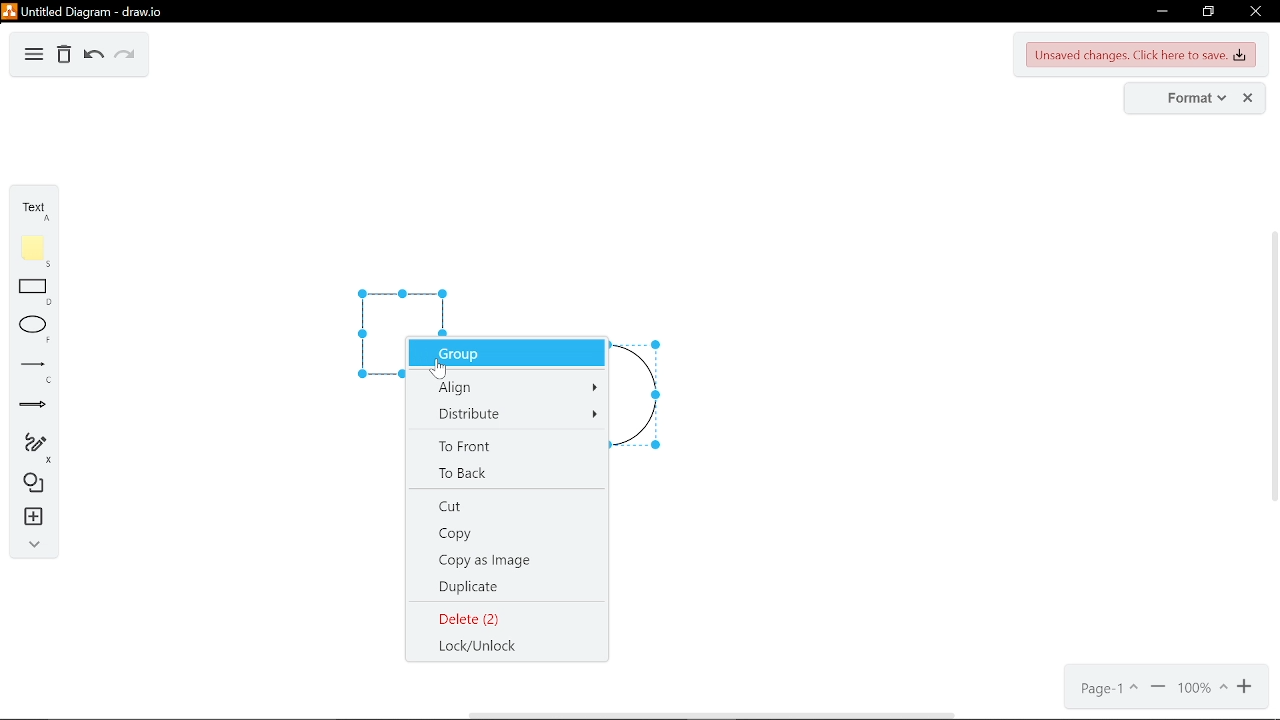 This screenshot has height=720, width=1280. I want to click on close, so click(1257, 13).